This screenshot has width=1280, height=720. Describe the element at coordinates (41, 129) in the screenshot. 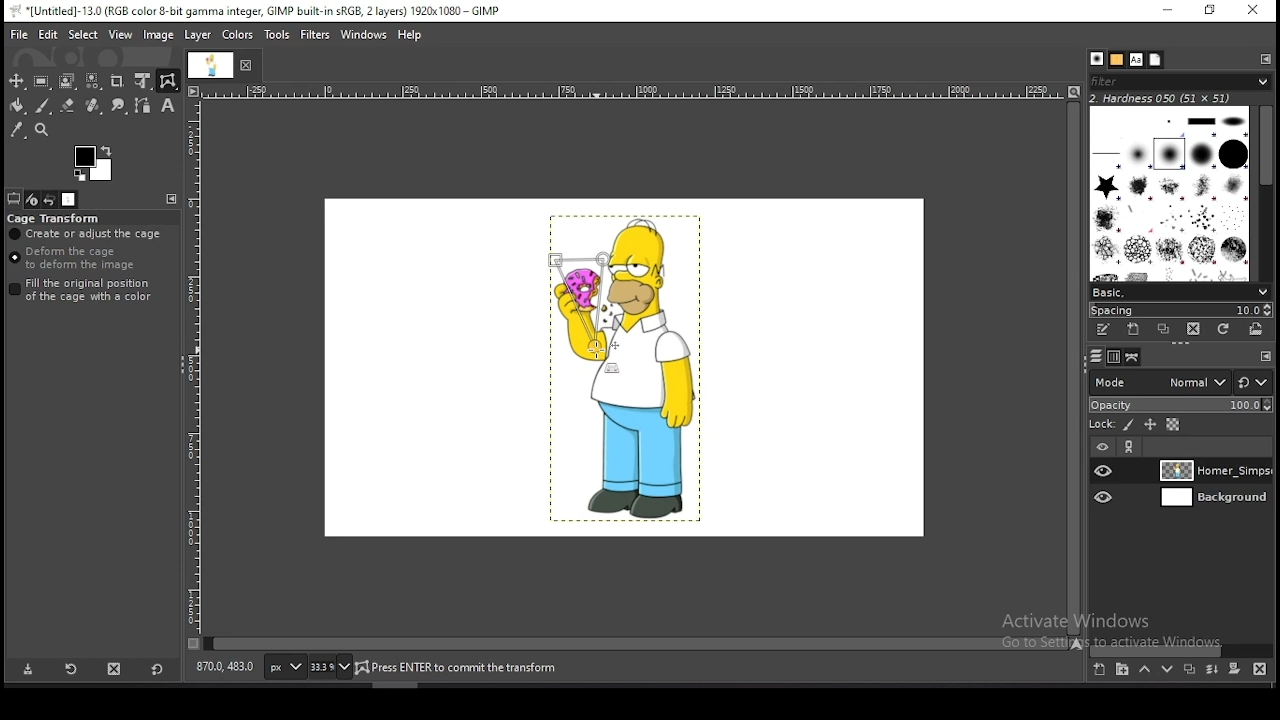

I see `zoom tool` at that location.